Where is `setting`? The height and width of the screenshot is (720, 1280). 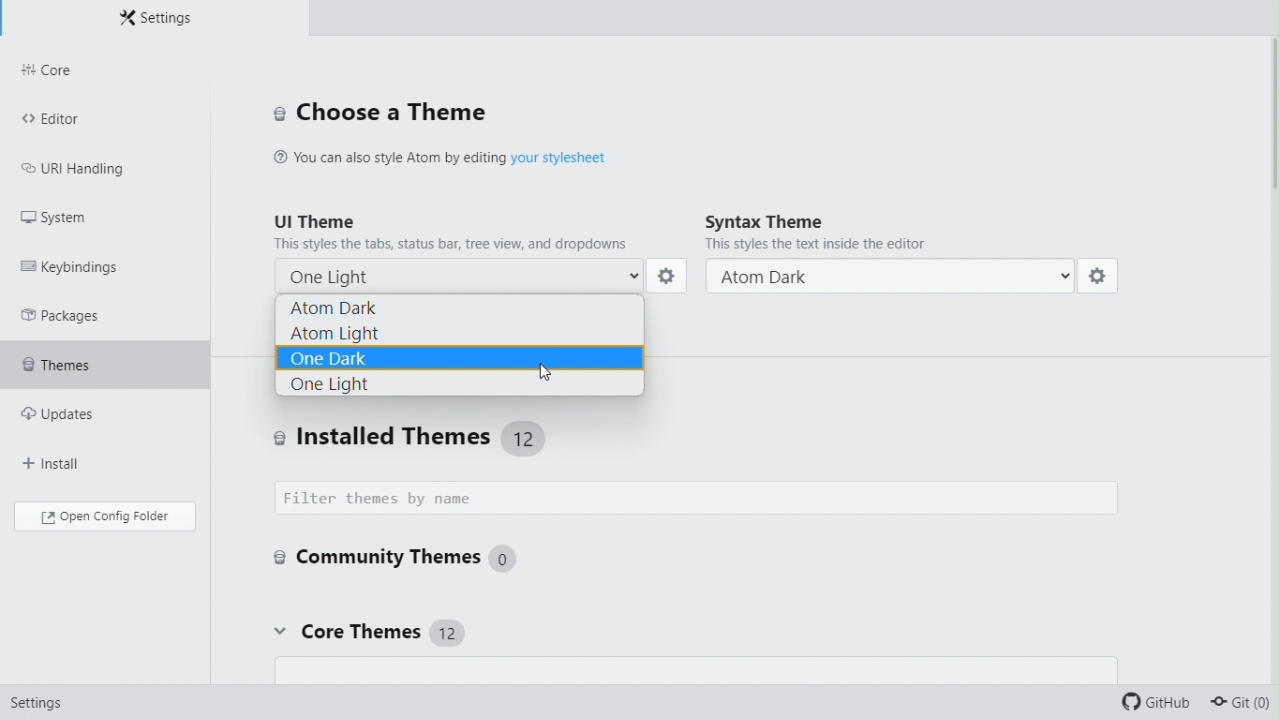
setting is located at coordinates (671, 276).